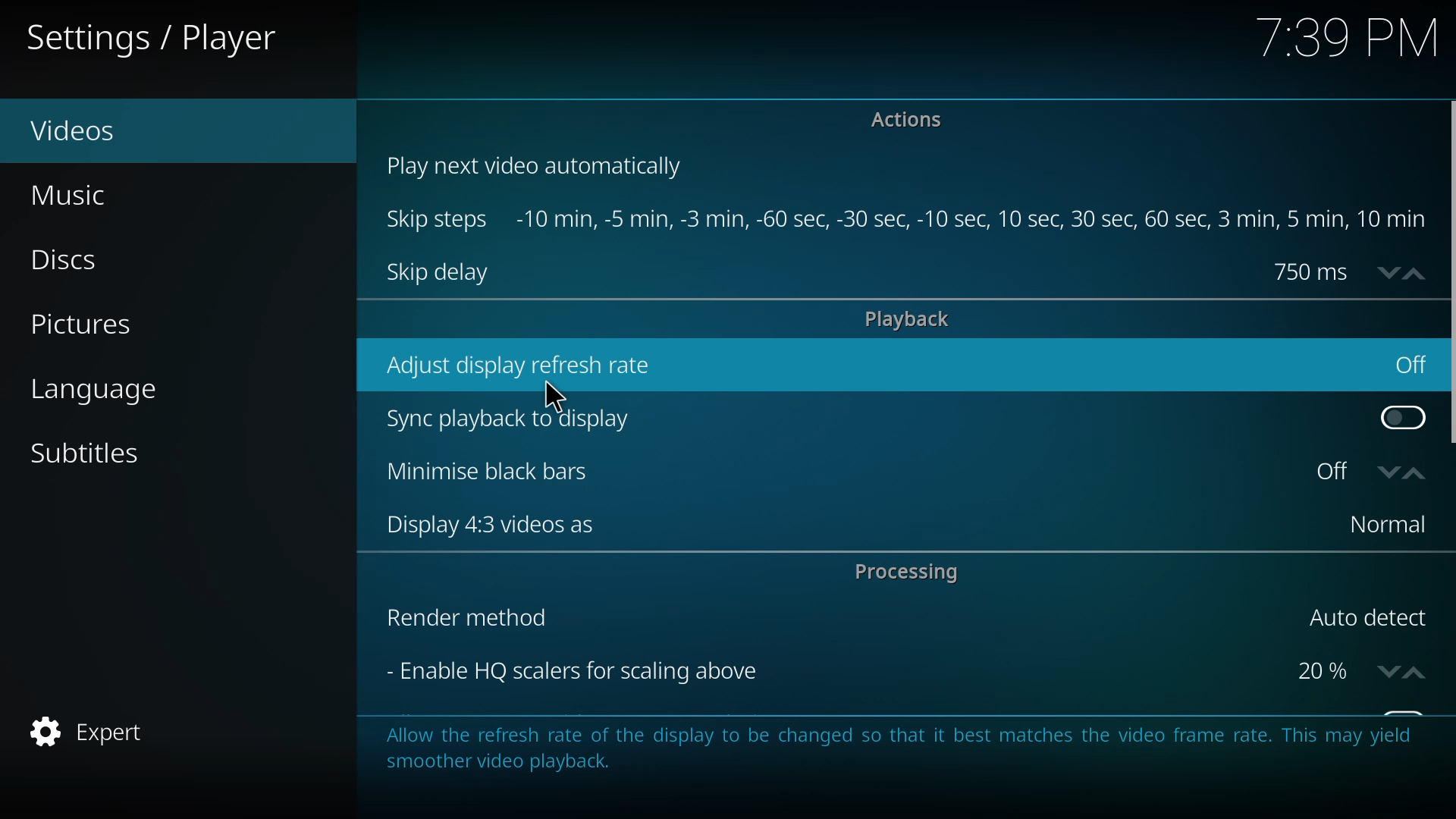 The width and height of the screenshot is (1456, 819). What do you see at coordinates (111, 393) in the screenshot?
I see `language` at bounding box center [111, 393].